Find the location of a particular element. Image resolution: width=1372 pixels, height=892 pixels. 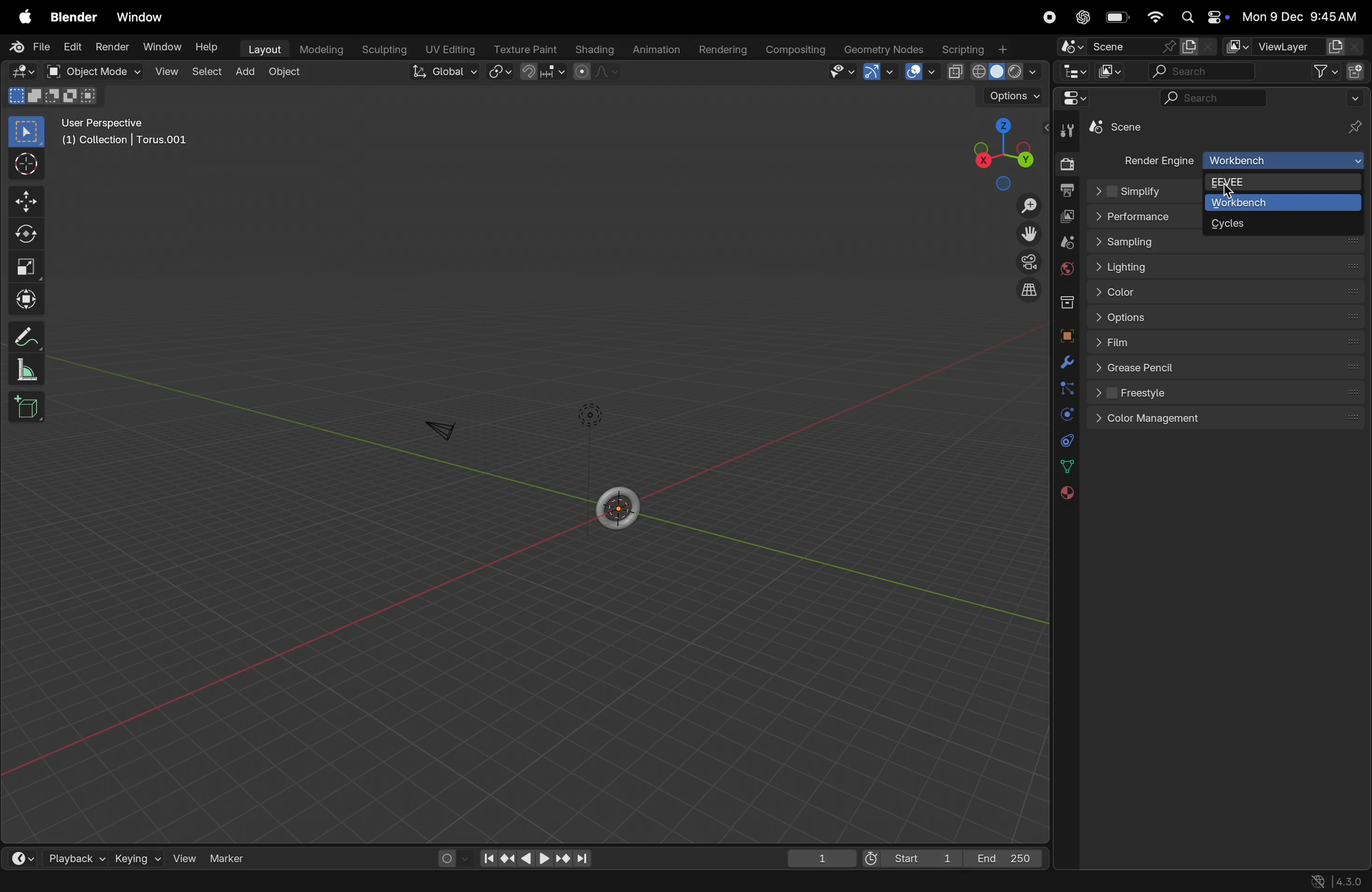

date and time is located at coordinates (1305, 16).